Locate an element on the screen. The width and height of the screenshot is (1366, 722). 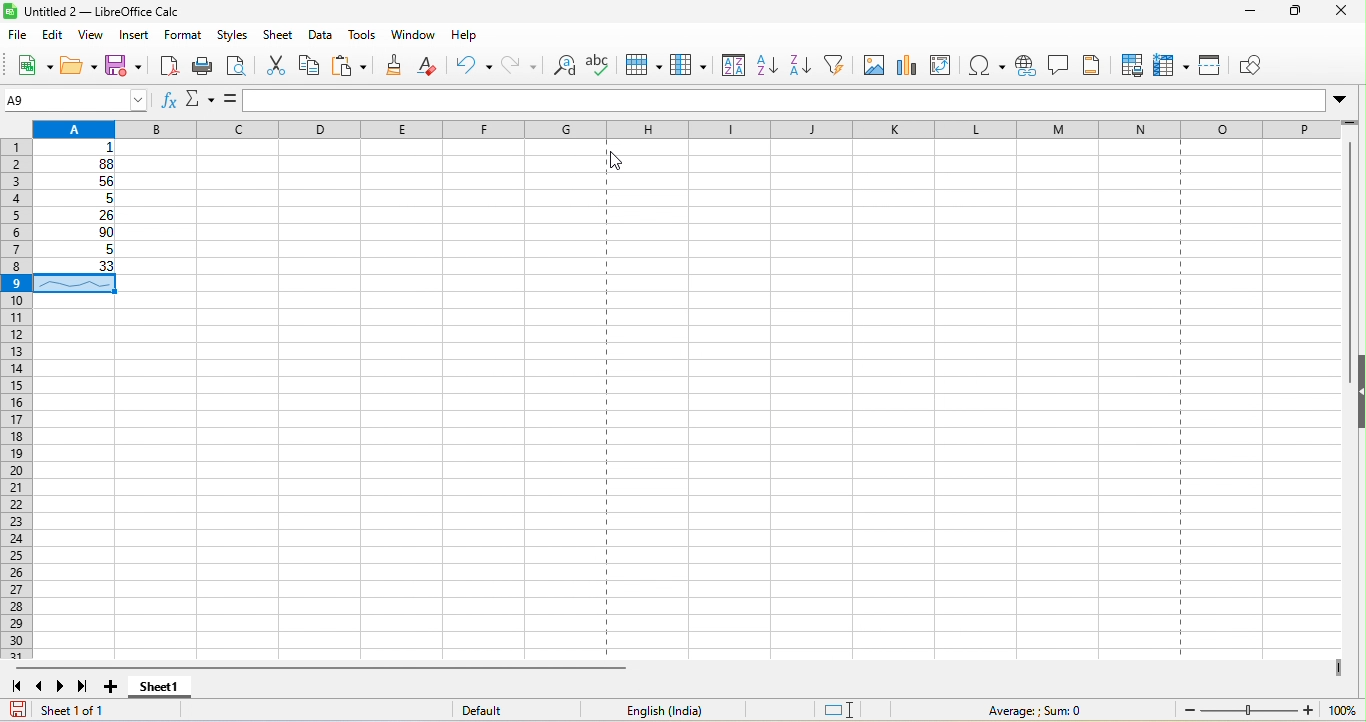
sort descending is located at coordinates (804, 64).